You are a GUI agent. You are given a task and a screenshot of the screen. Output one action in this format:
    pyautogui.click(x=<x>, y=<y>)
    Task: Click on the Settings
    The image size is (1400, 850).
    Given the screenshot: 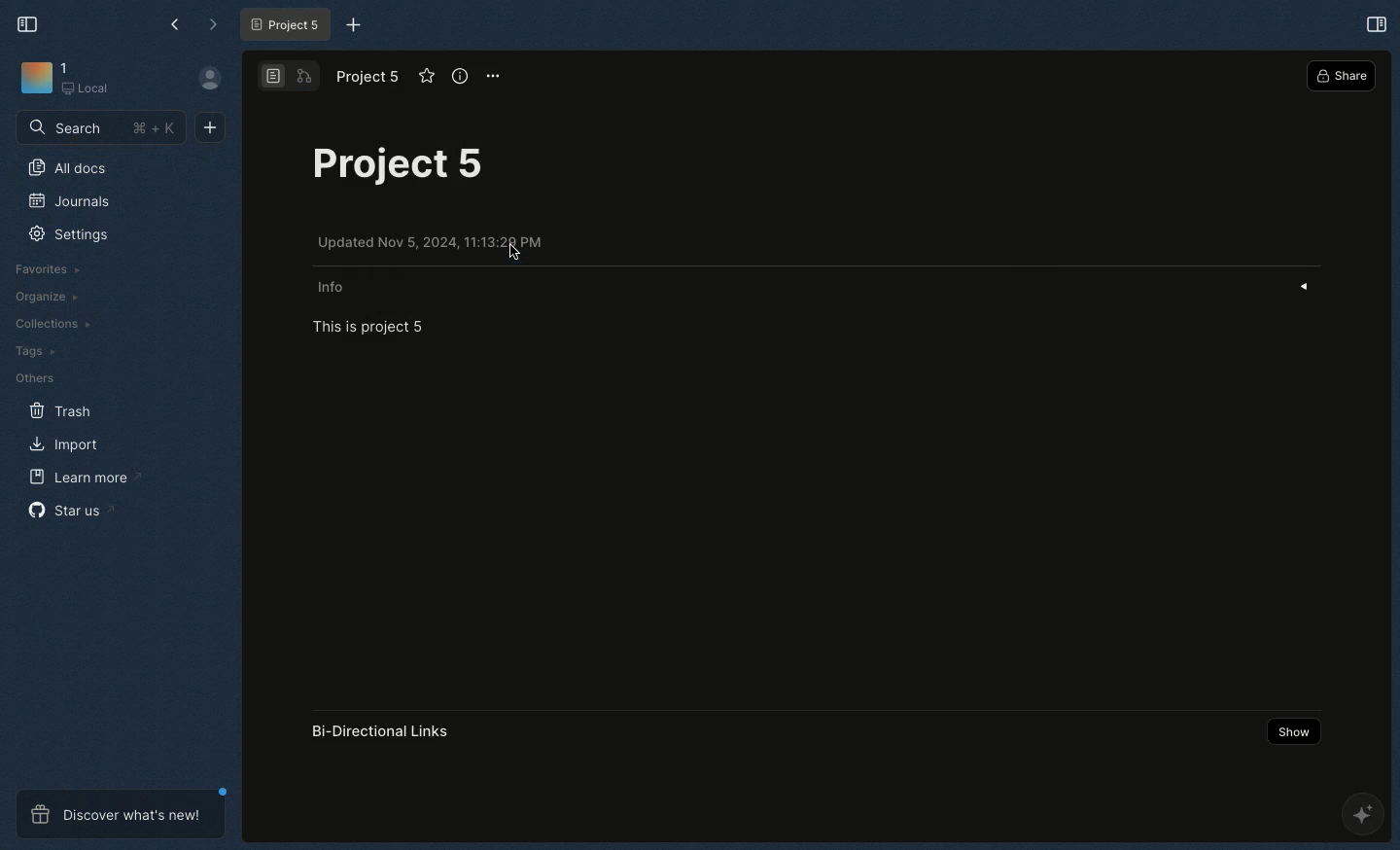 What is the action you would take?
    pyautogui.click(x=71, y=235)
    